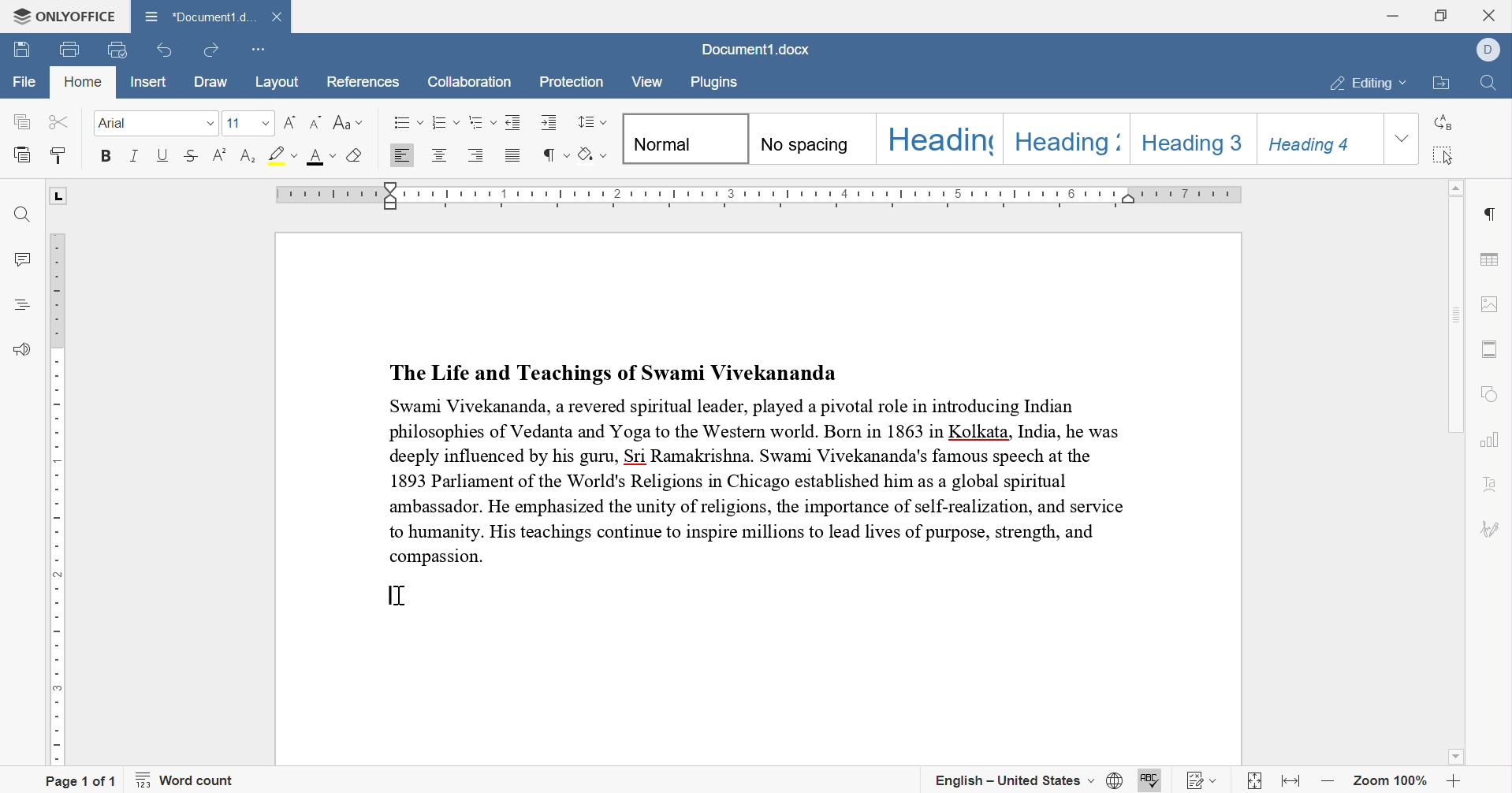 The image size is (1512, 793). I want to click on change case, so click(348, 122).